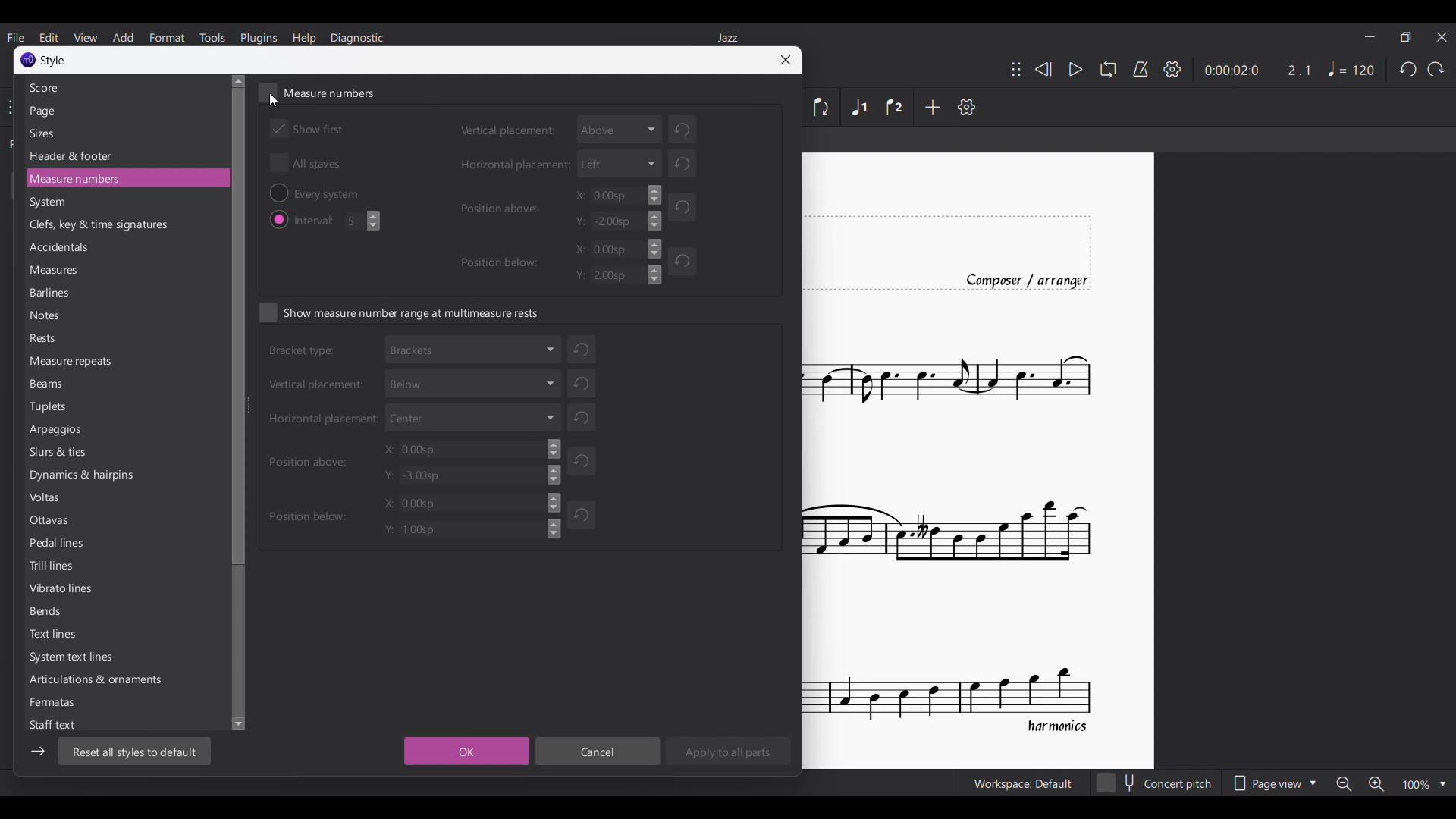  Describe the element at coordinates (1107, 68) in the screenshot. I see `Loop playback` at that location.